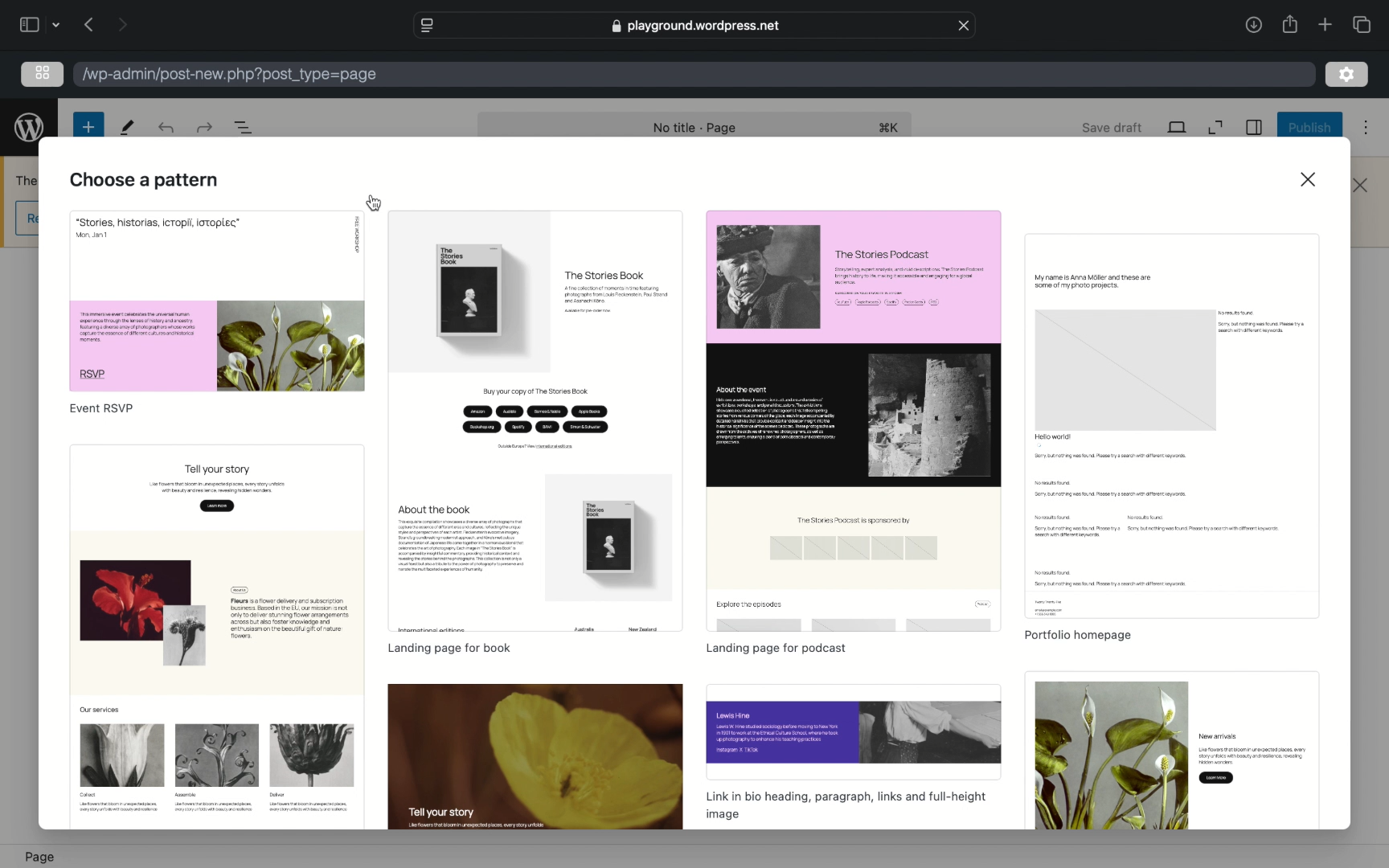  Describe the element at coordinates (100, 407) in the screenshot. I see `event rsvp` at that location.